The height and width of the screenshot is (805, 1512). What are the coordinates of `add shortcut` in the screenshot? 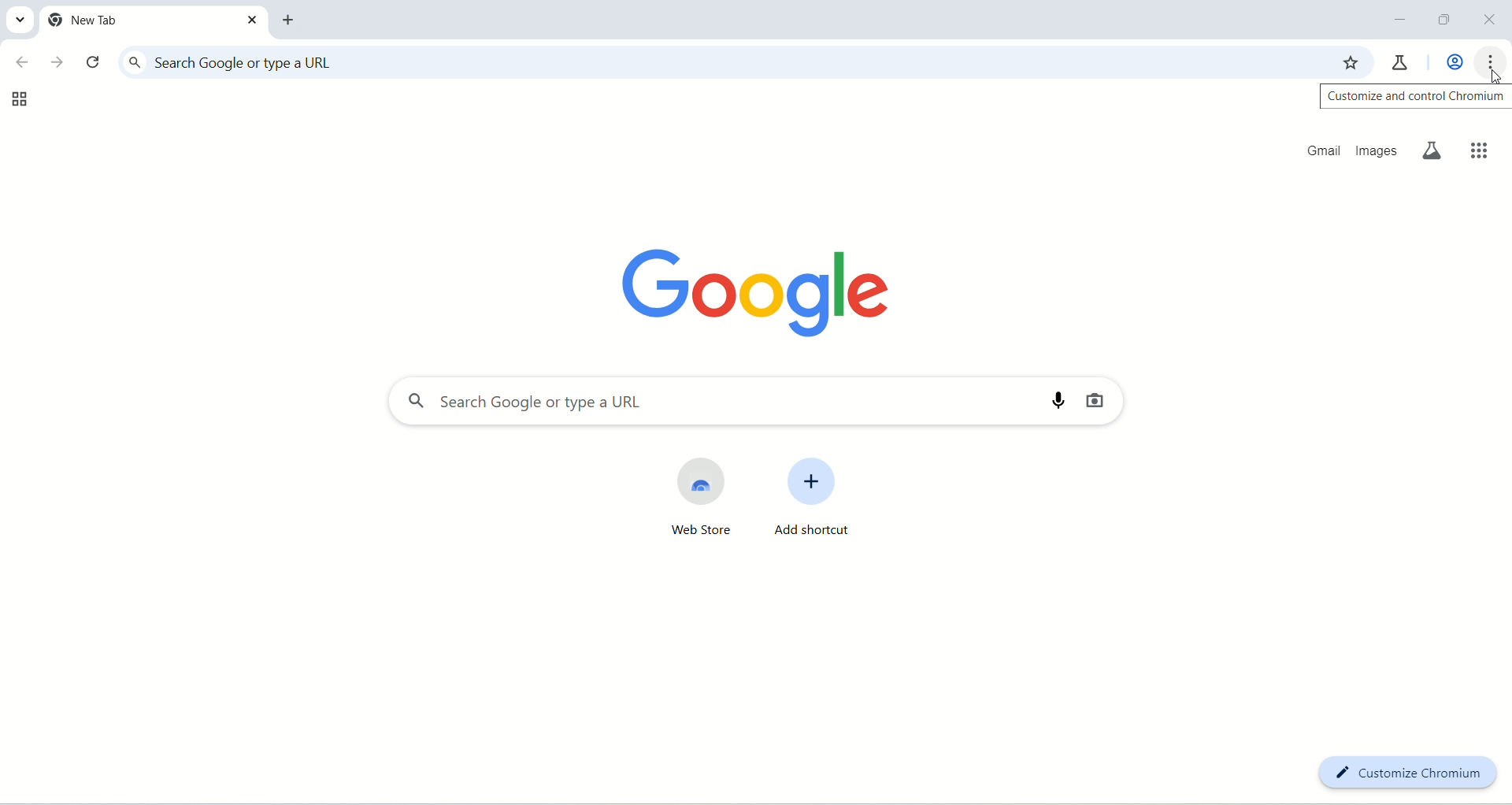 It's located at (825, 500).